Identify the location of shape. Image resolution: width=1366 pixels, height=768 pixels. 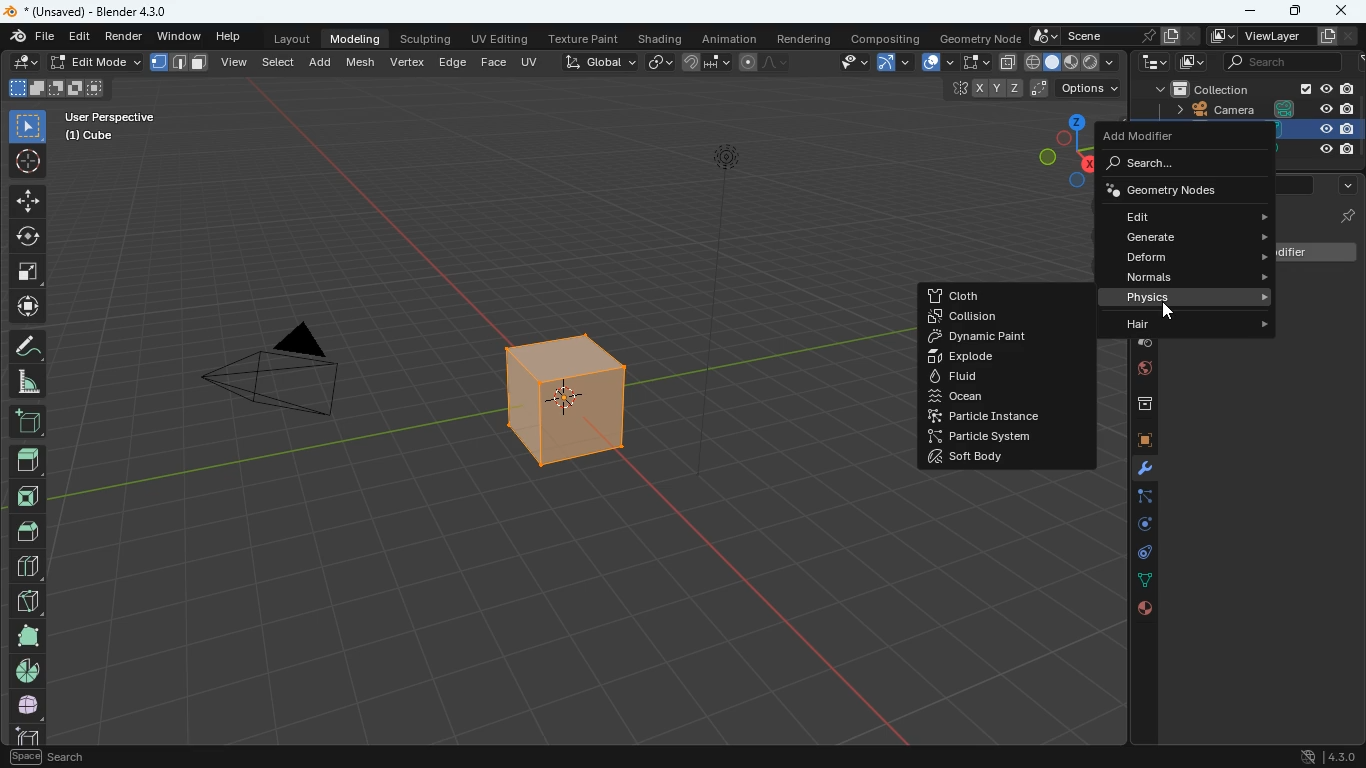
(27, 635).